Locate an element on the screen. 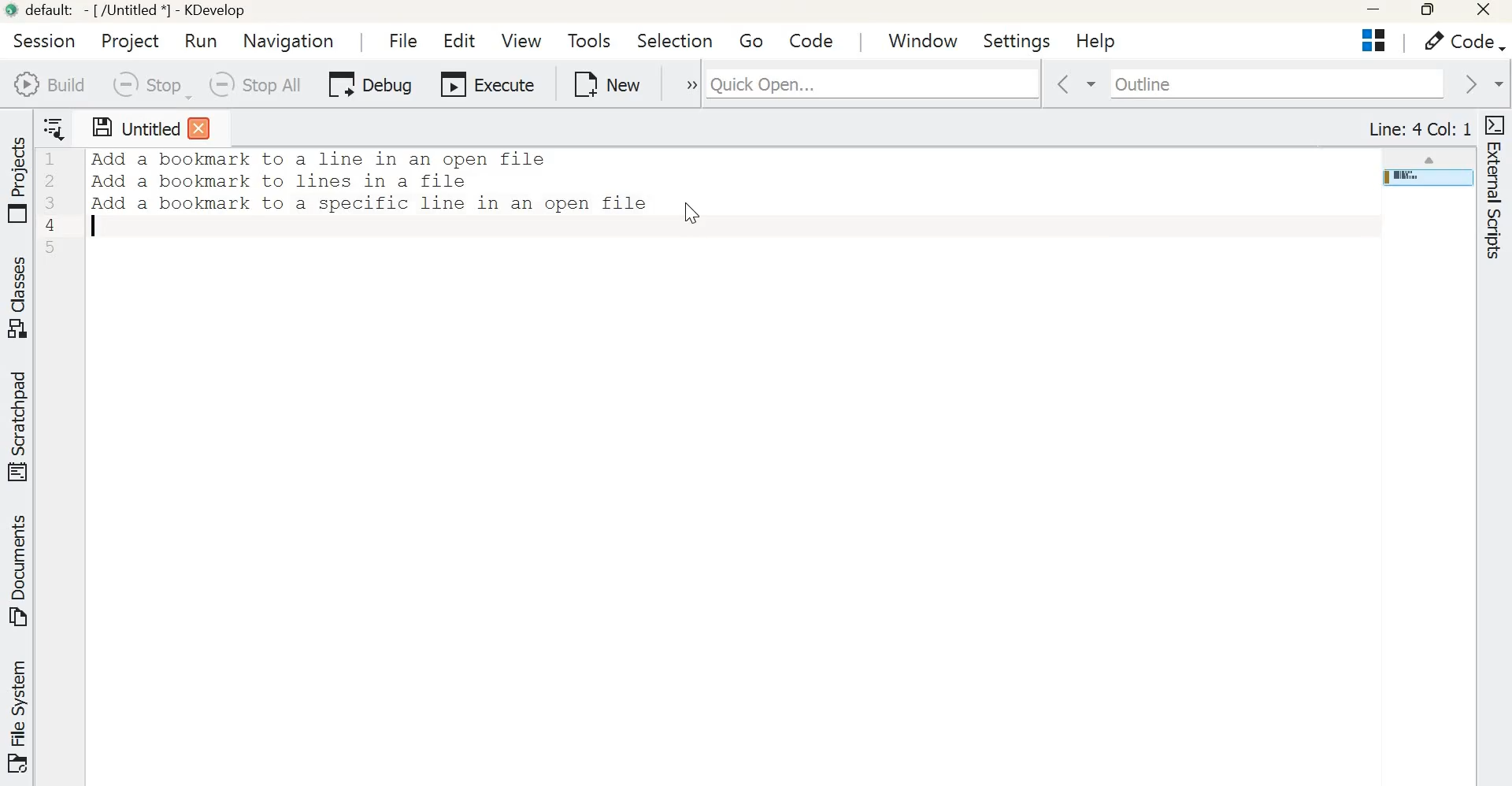 This screenshot has height=786, width=1512. Build is located at coordinates (48, 84).